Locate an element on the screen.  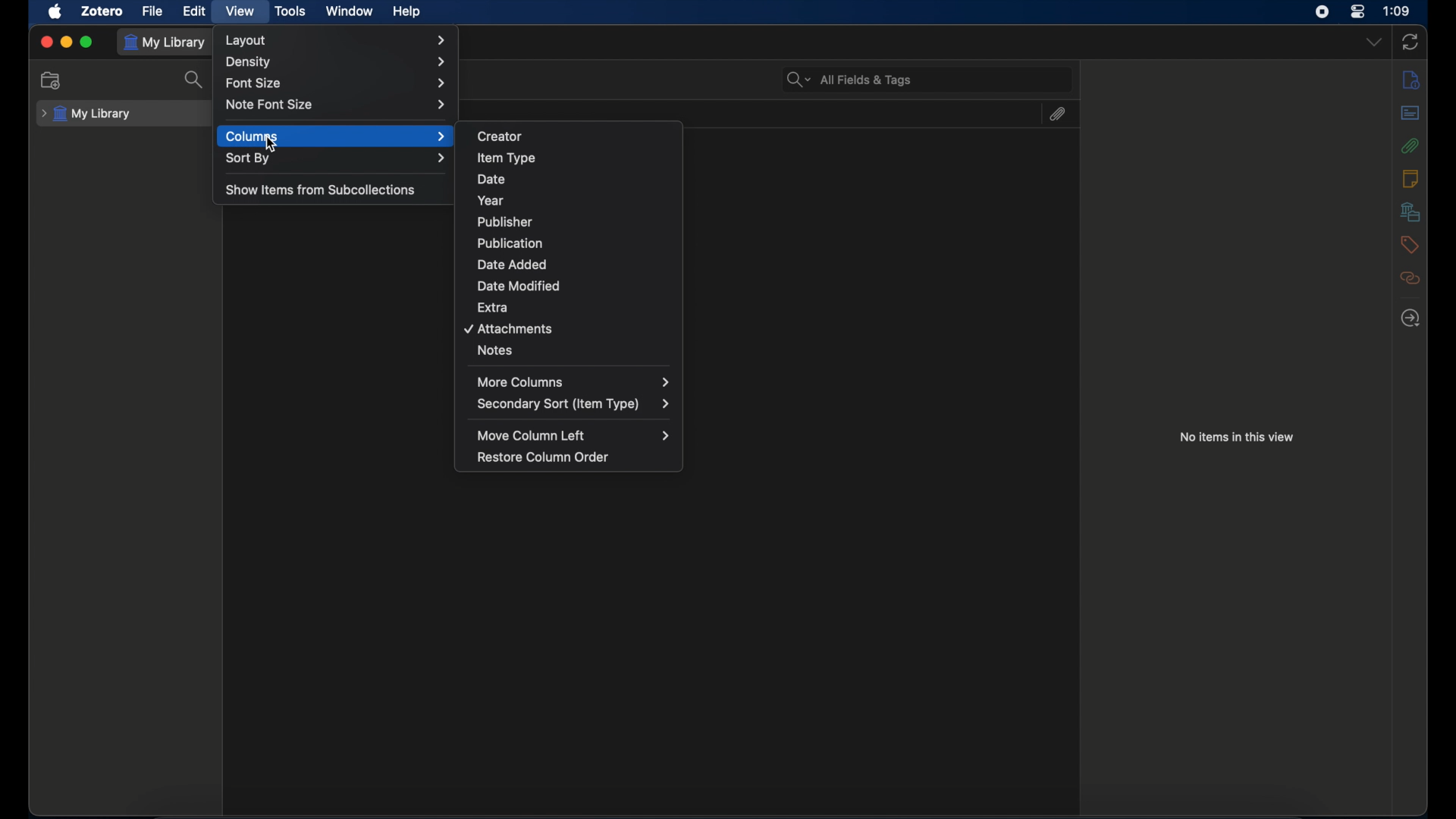
columns is located at coordinates (336, 136).